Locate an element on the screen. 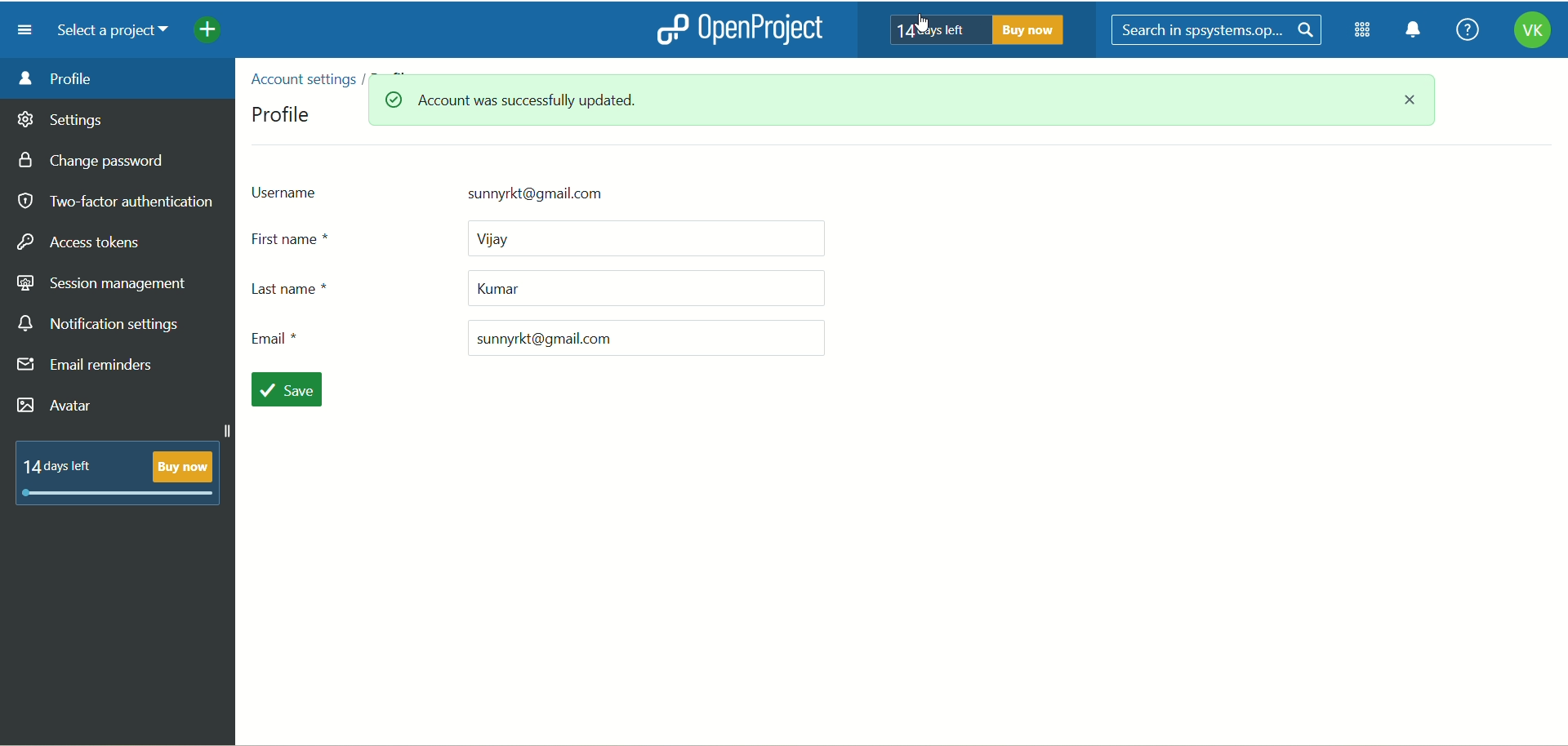  account is located at coordinates (1526, 33).